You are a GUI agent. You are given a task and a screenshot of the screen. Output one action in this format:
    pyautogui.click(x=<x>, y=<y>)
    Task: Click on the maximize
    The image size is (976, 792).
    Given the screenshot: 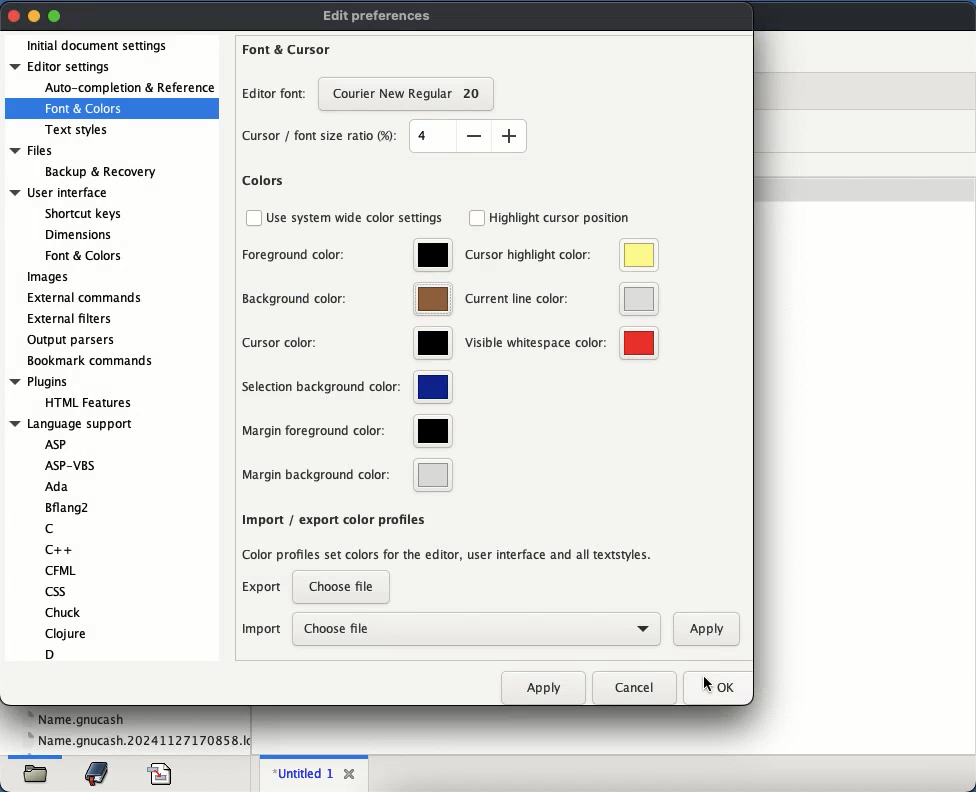 What is the action you would take?
    pyautogui.click(x=55, y=17)
    